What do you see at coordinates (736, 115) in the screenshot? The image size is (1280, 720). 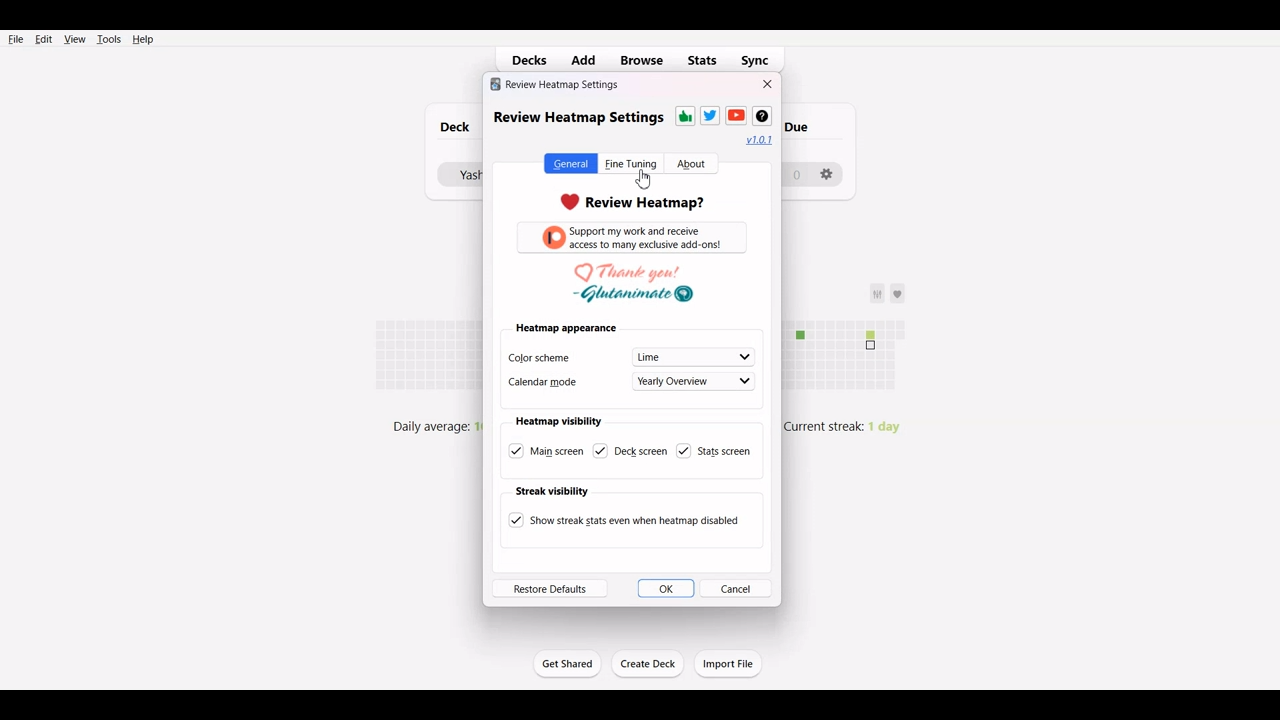 I see `Youtube` at bounding box center [736, 115].